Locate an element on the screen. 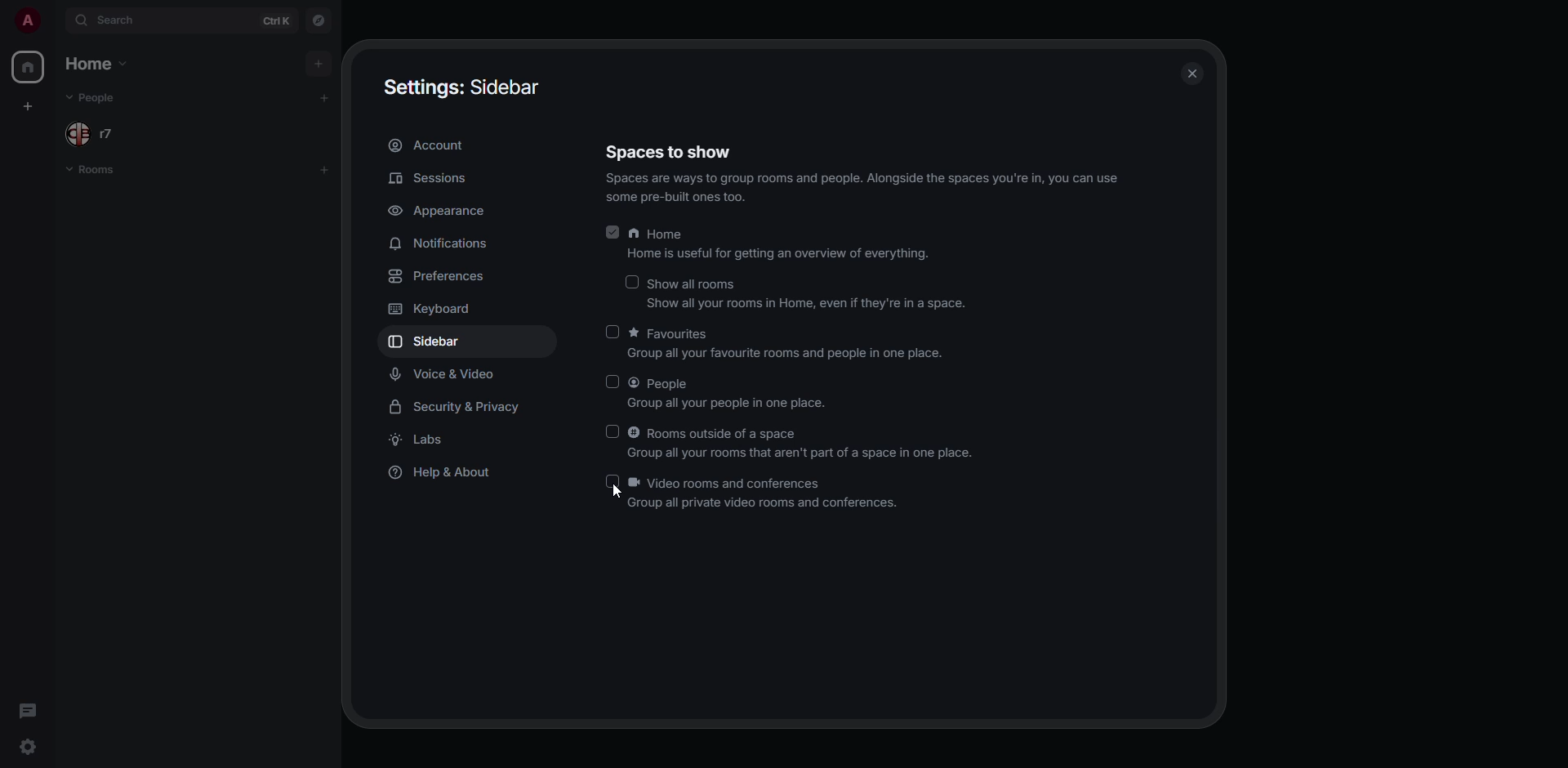  help & about is located at coordinates (446, 473).